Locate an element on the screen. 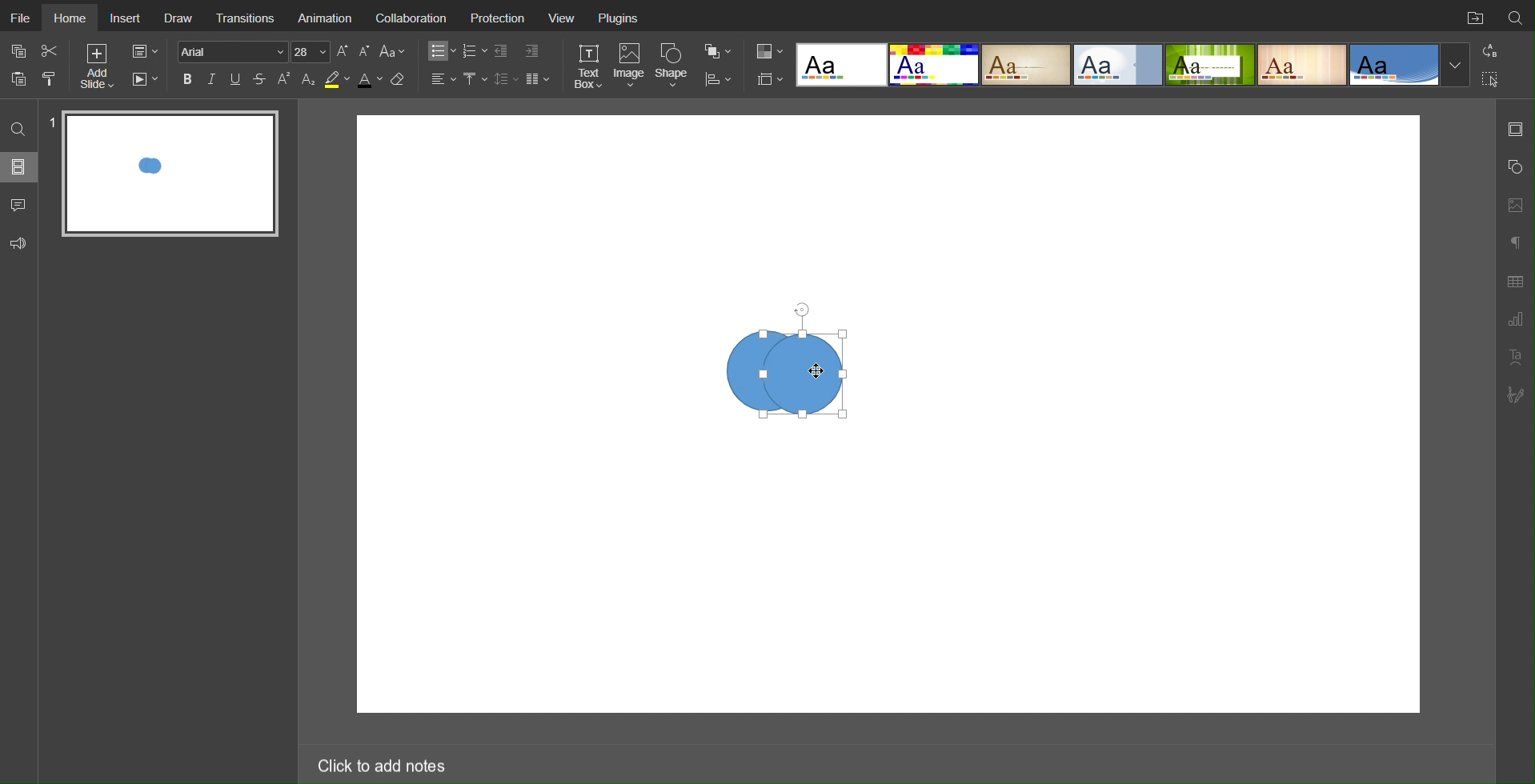 The width and height of the screenshot is (1535, 784). Distribution is located at coordinates (718, 78).